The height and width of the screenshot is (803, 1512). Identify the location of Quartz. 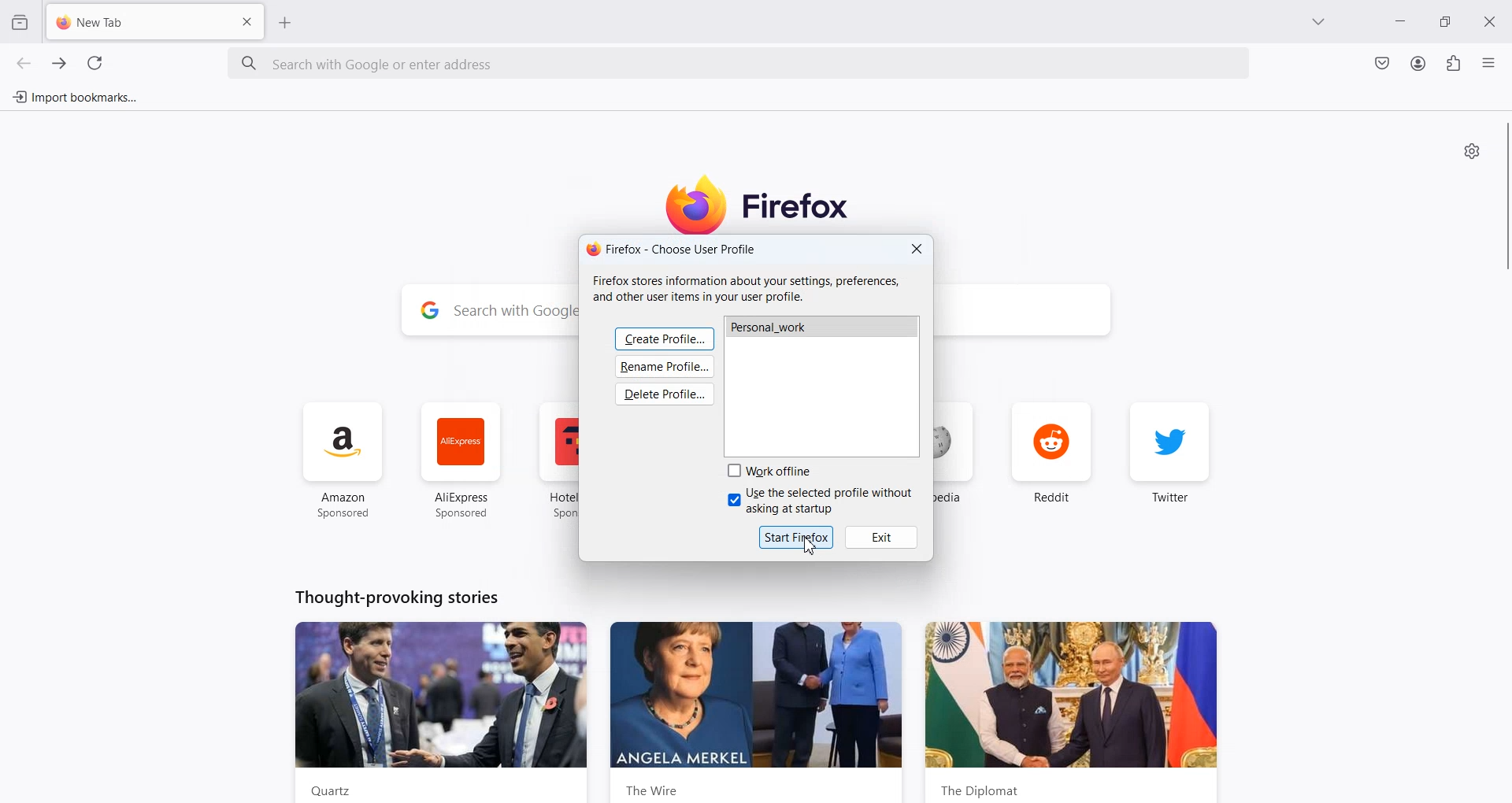
(444, 711).